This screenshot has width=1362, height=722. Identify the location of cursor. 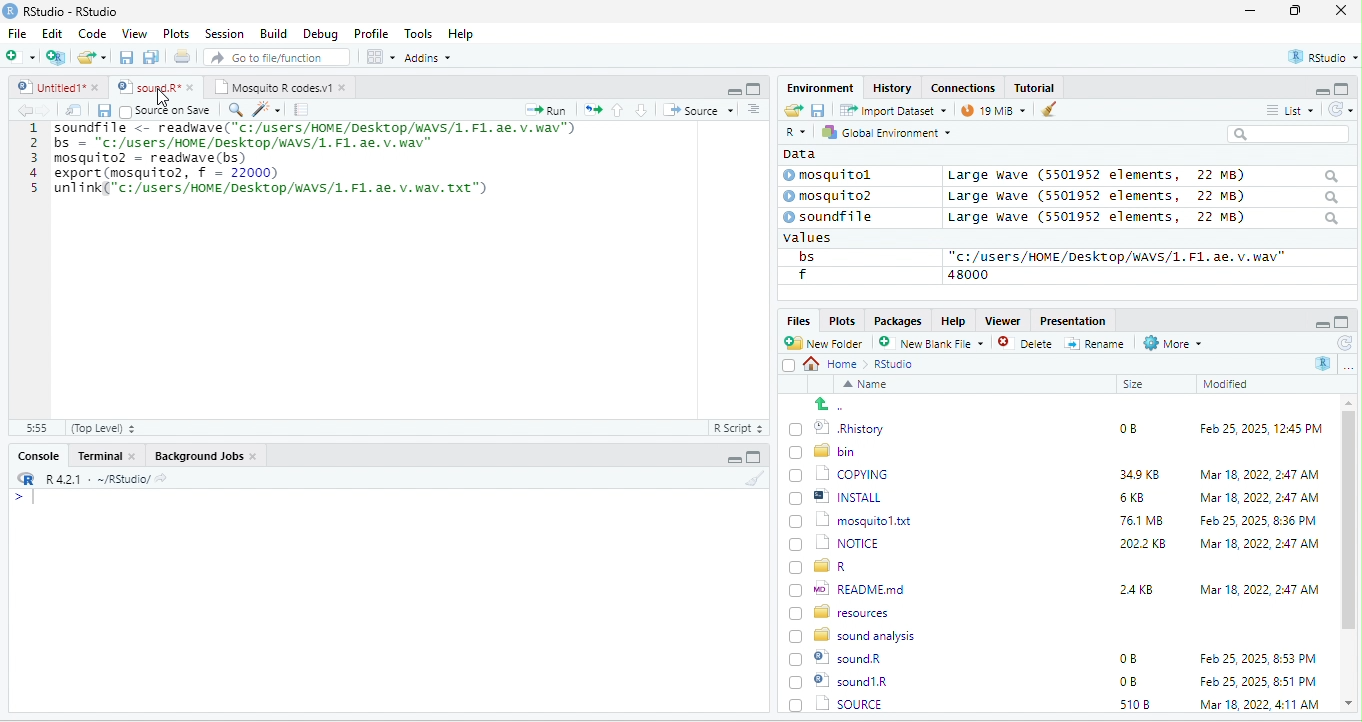
(157, 103).